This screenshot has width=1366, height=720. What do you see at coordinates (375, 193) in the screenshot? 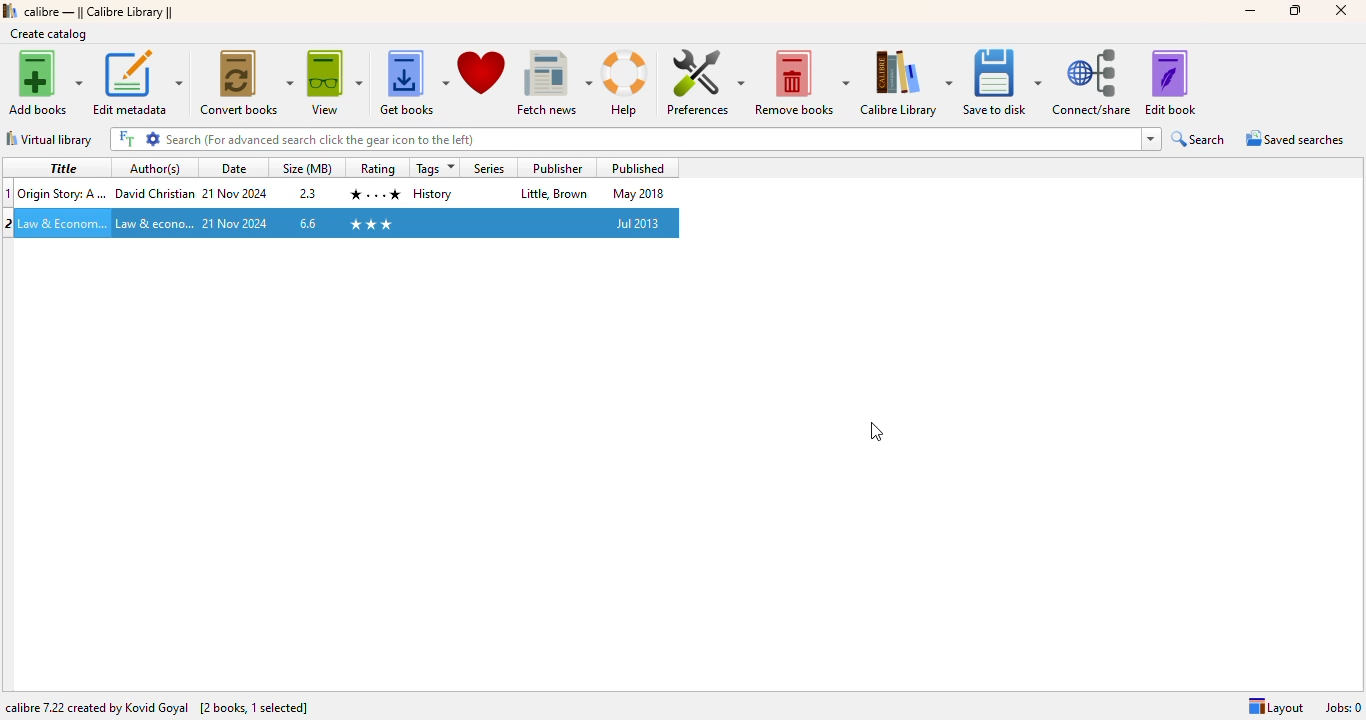
I see `rating` at bounding box center [375, 193].